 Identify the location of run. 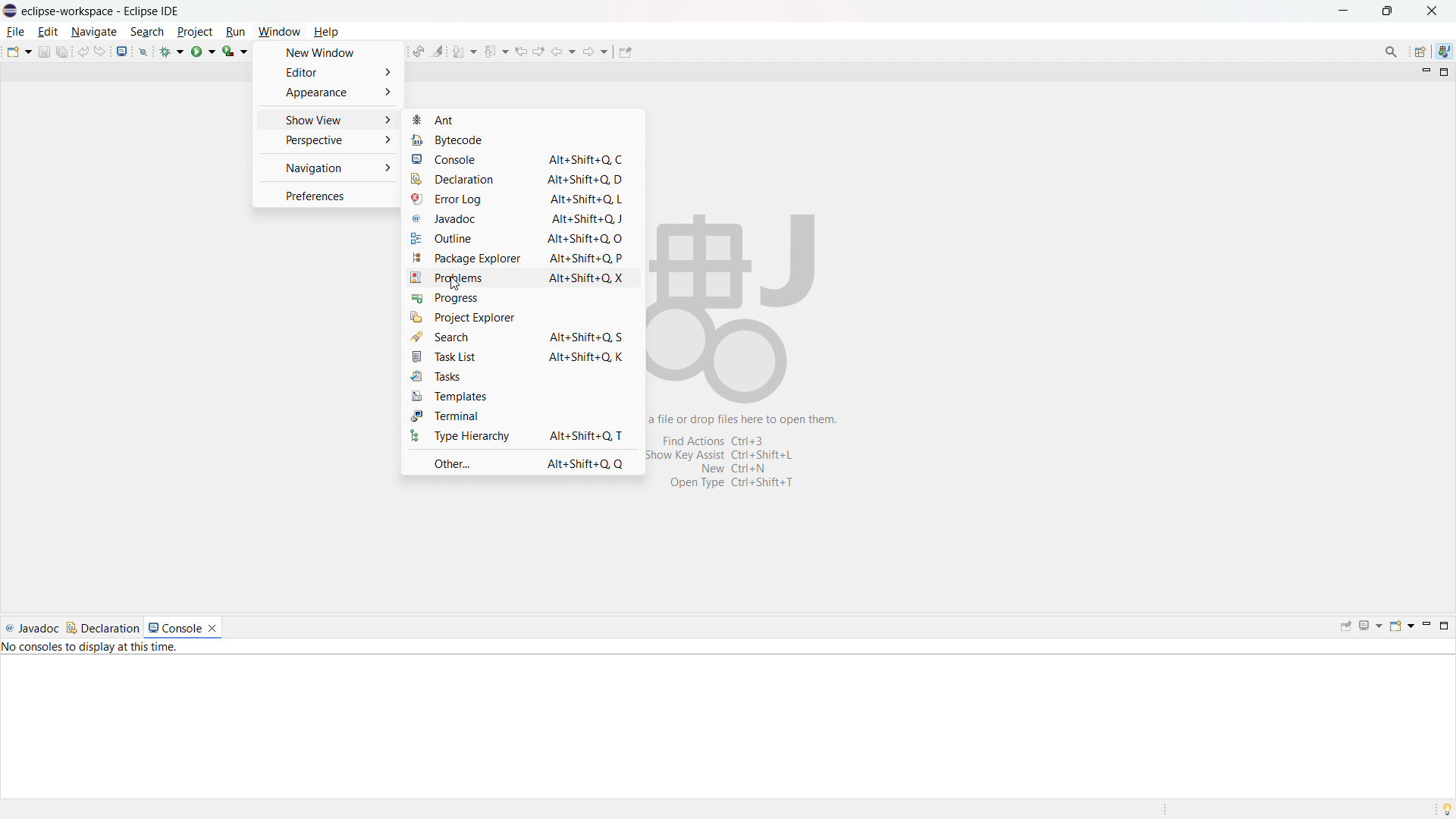
(204, 51).